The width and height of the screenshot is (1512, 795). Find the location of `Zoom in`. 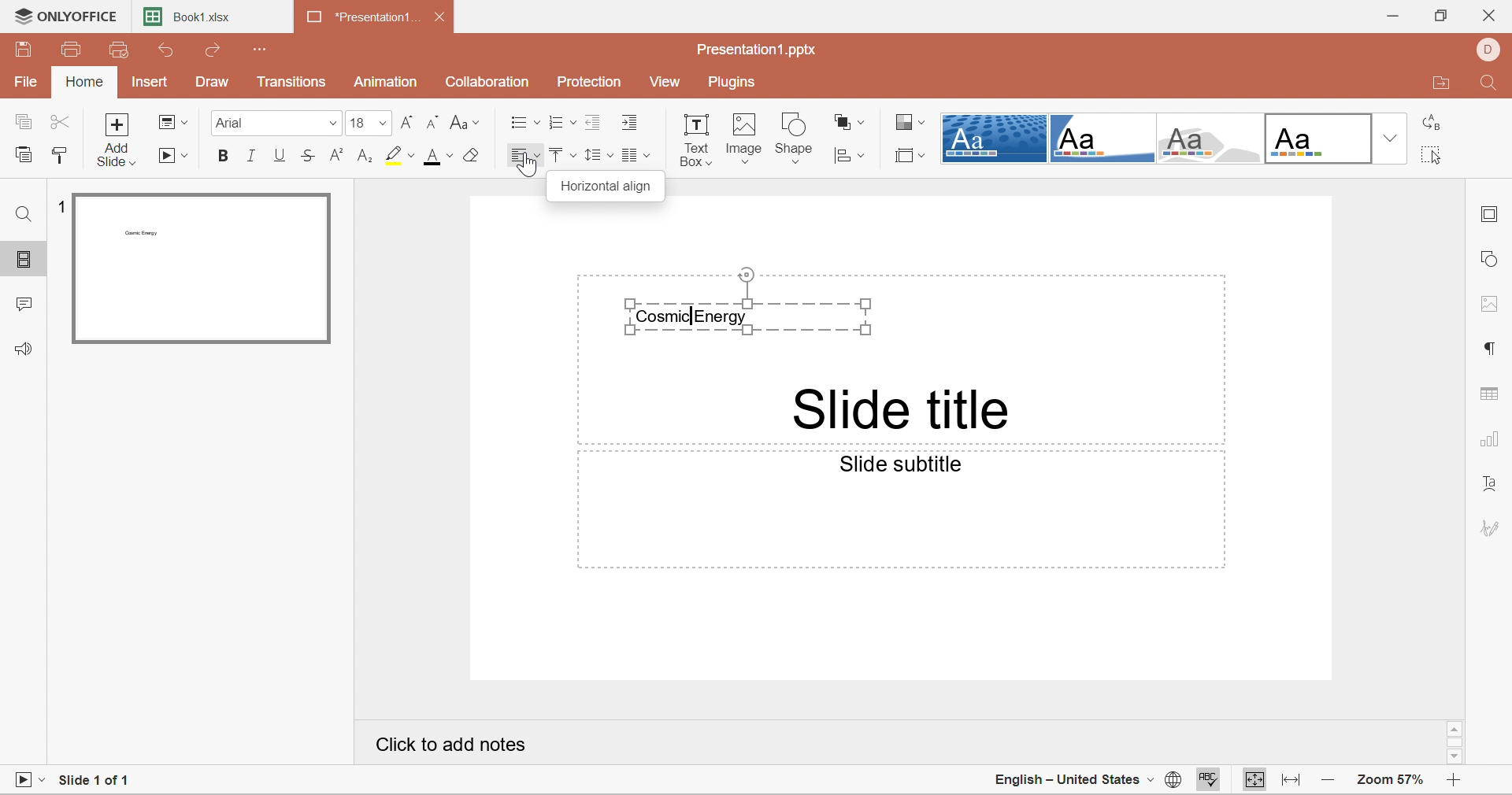

Zoom in is located at coordinates (1455, 779).